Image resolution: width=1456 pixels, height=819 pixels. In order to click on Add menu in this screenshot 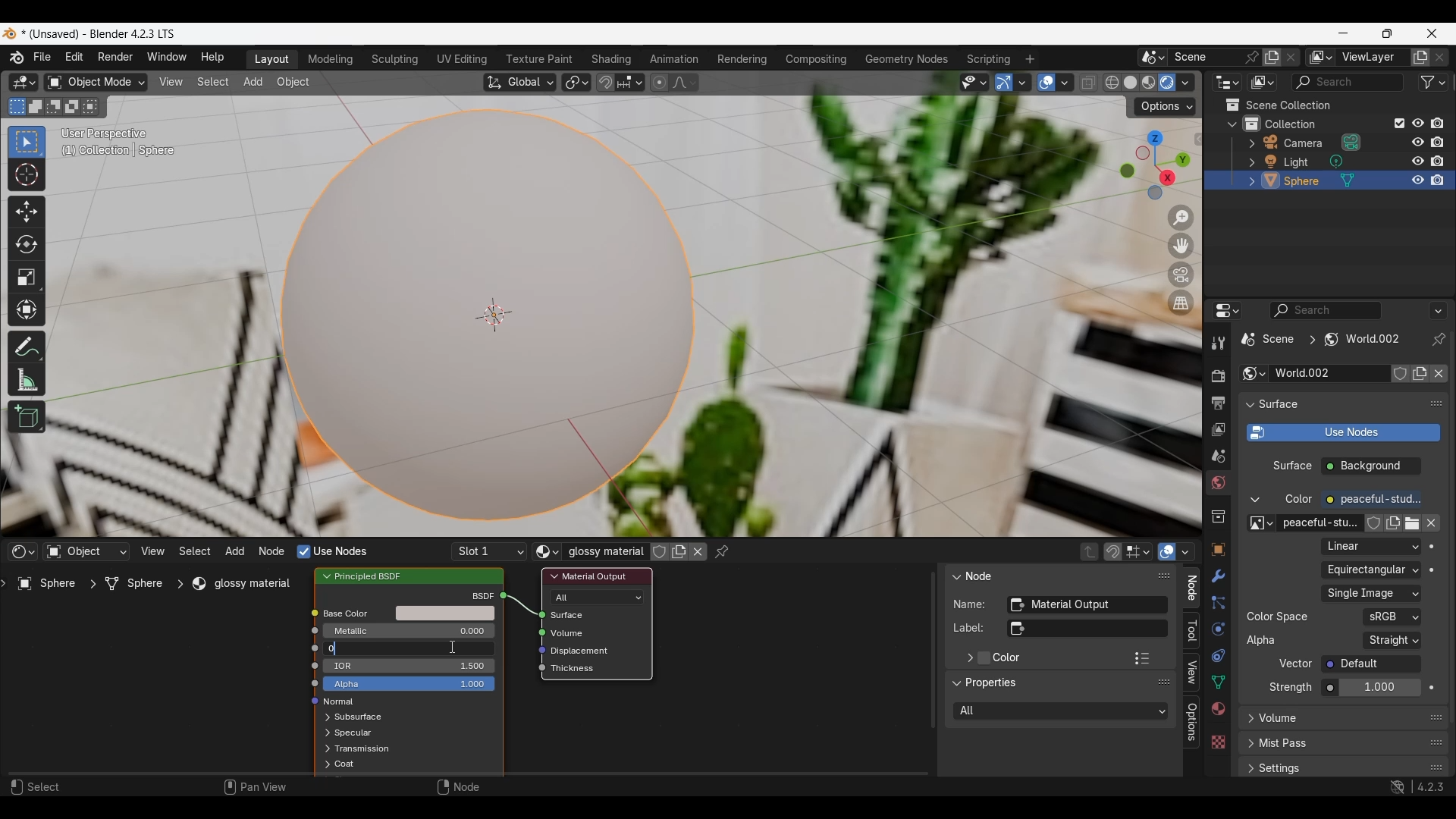, I will do `click(254, 83)`.